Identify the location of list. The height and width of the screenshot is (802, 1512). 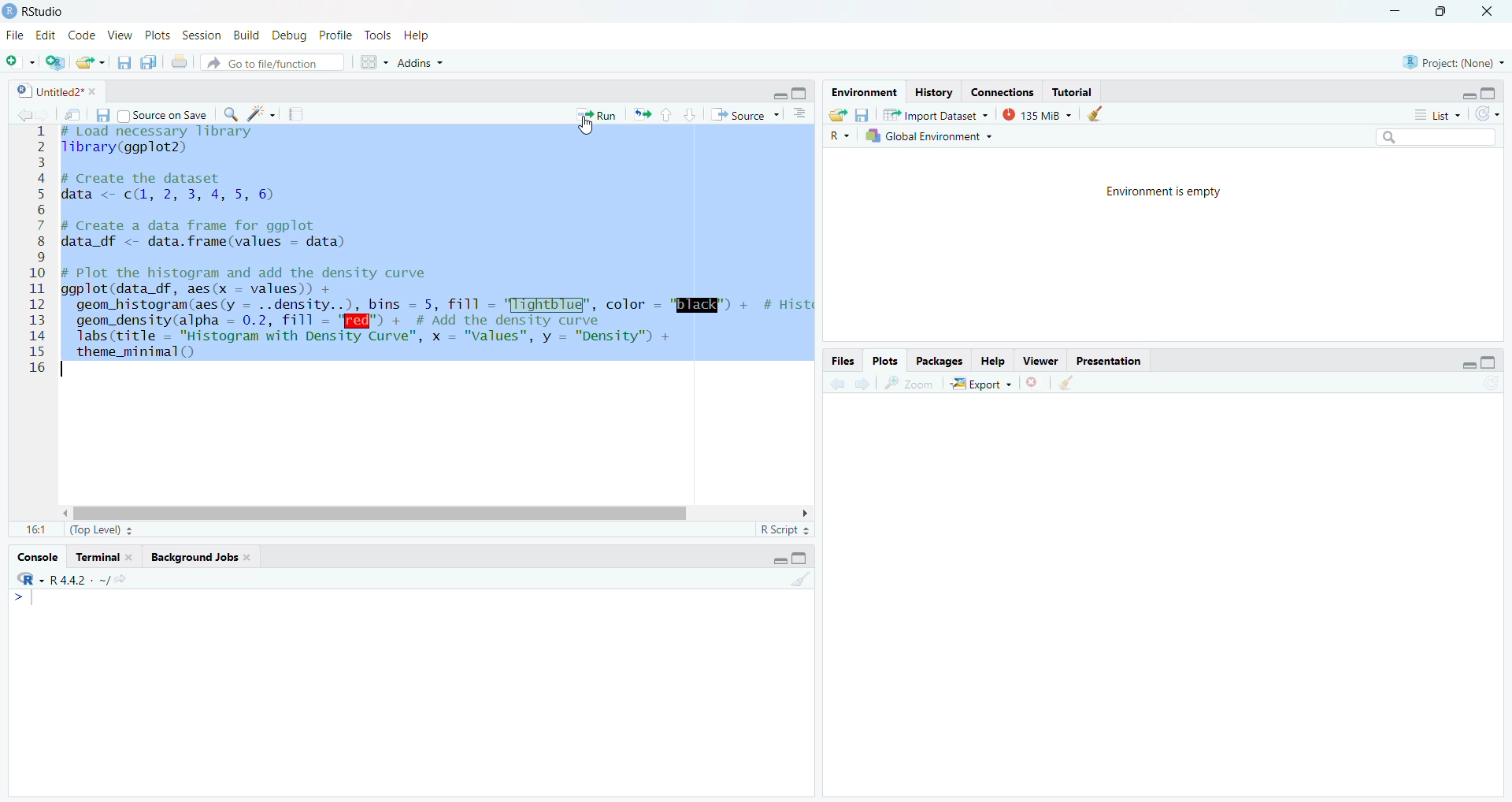
(1438, 113).